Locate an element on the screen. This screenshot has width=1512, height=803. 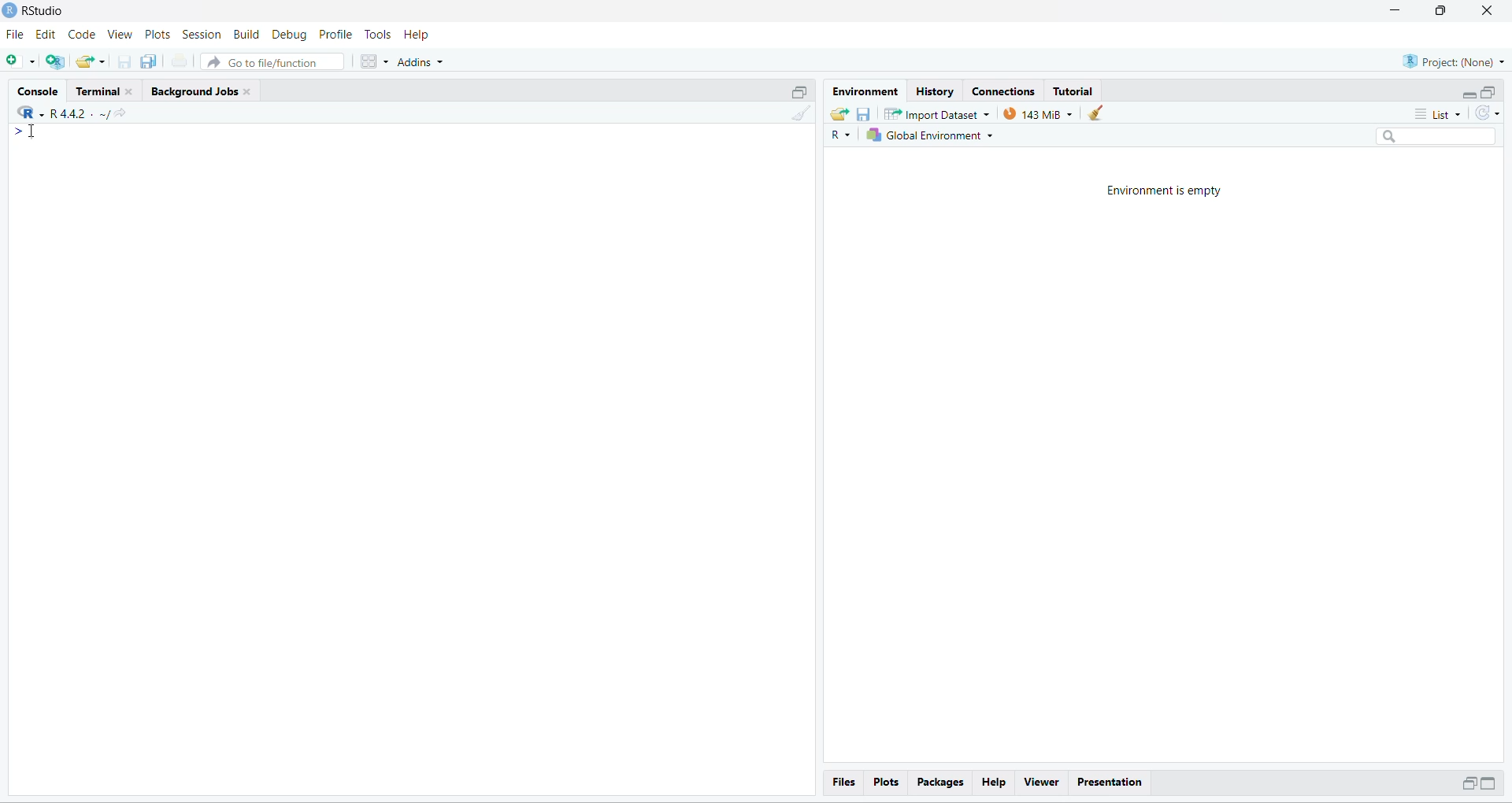
packages is located at coordinates (942, 783).